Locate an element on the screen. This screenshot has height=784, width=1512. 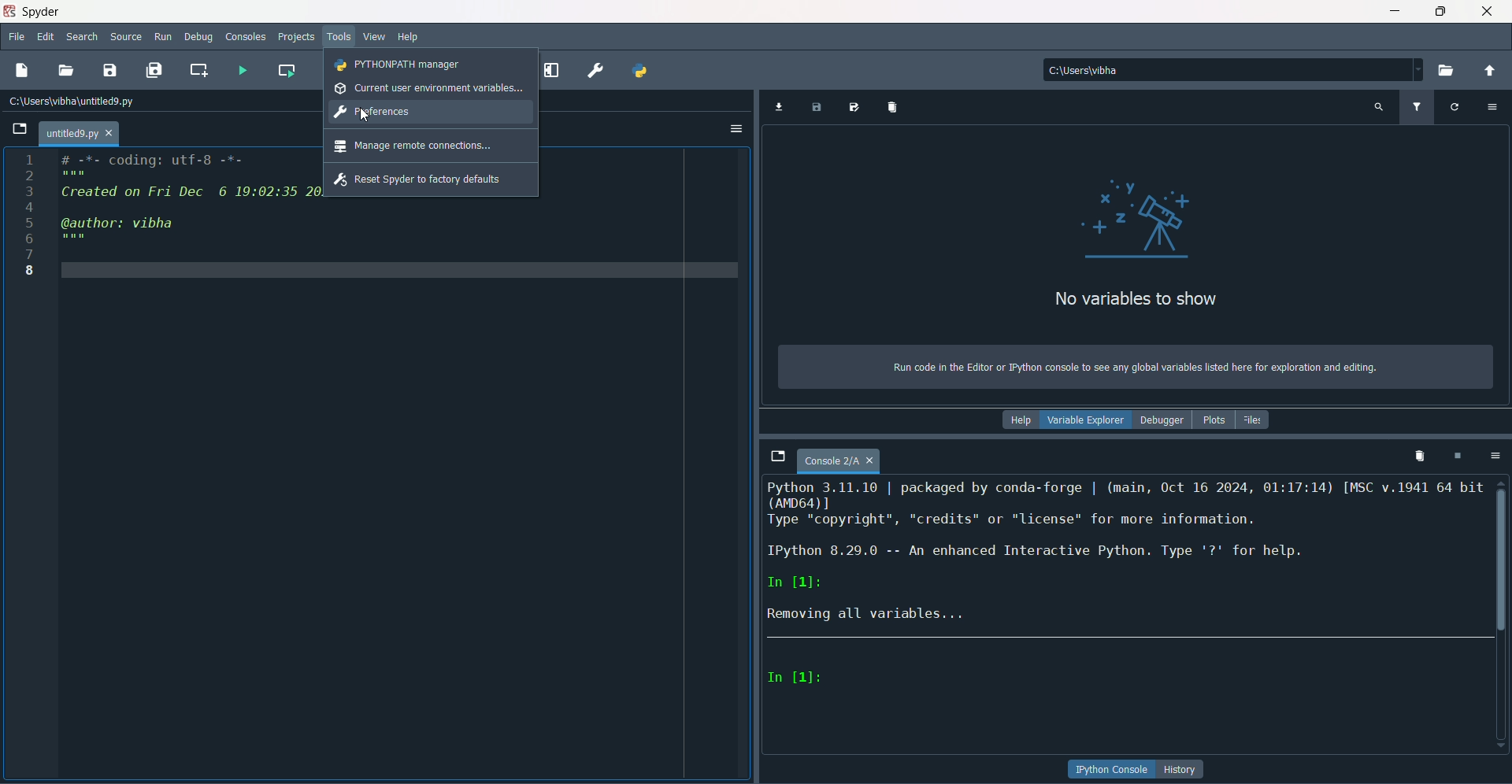
File path is located at coordinates (75, 101).